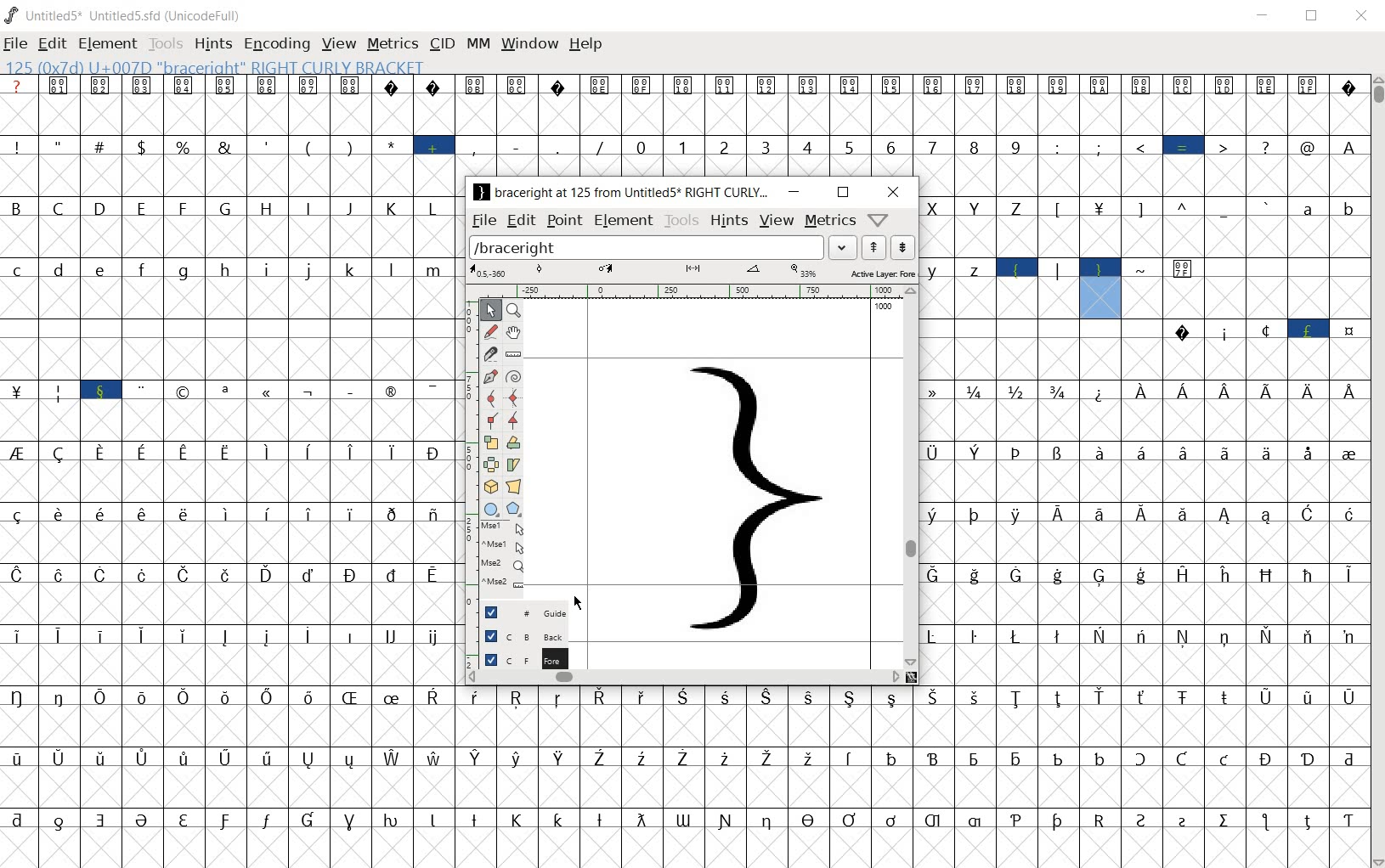  I want to click on ENCODING, so click(276, 44).